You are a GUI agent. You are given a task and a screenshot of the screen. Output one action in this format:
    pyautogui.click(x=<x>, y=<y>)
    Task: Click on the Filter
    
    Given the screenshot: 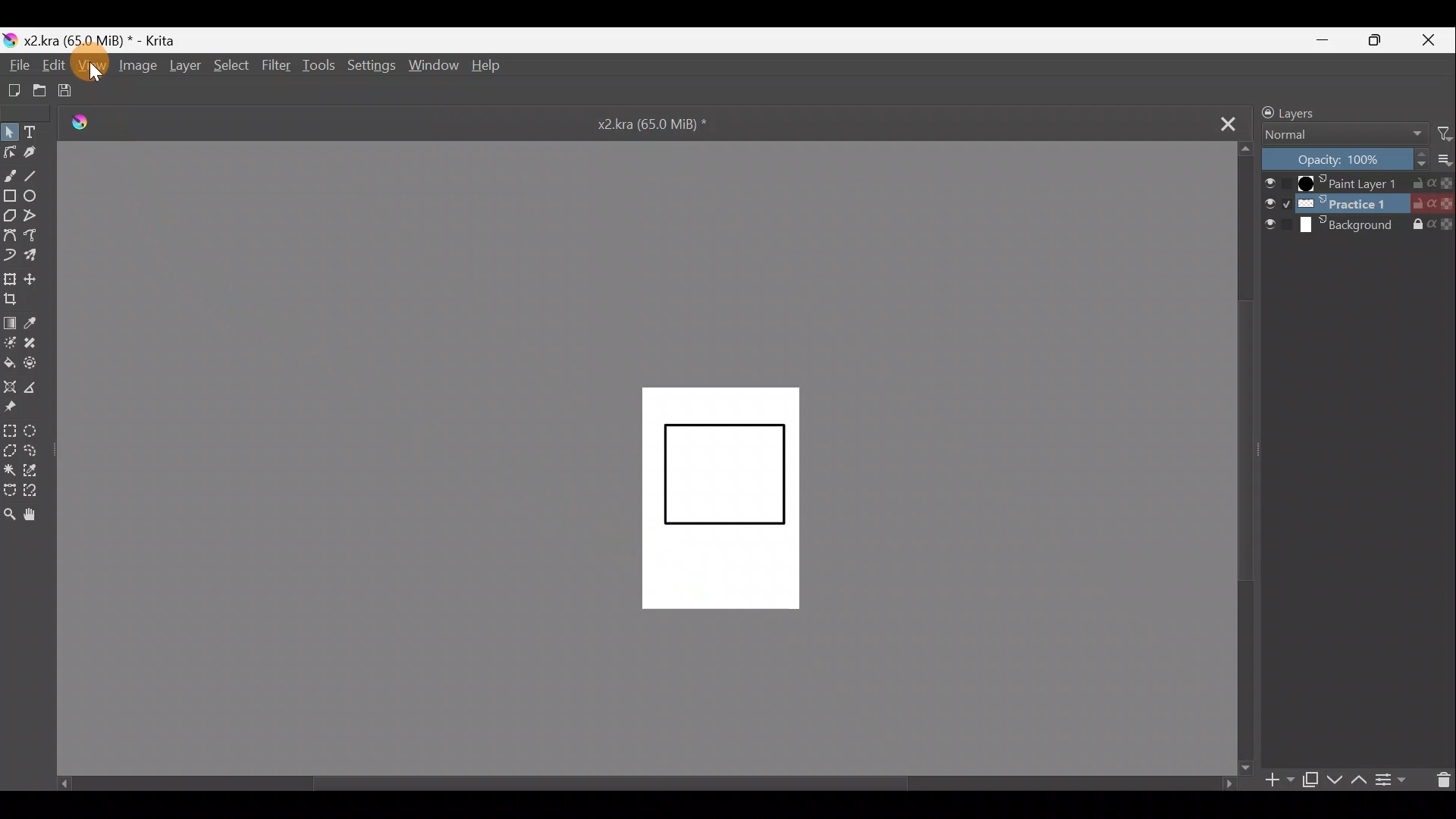 What is the action you would take?
    pyautogui.click(x=277, y=64)
    